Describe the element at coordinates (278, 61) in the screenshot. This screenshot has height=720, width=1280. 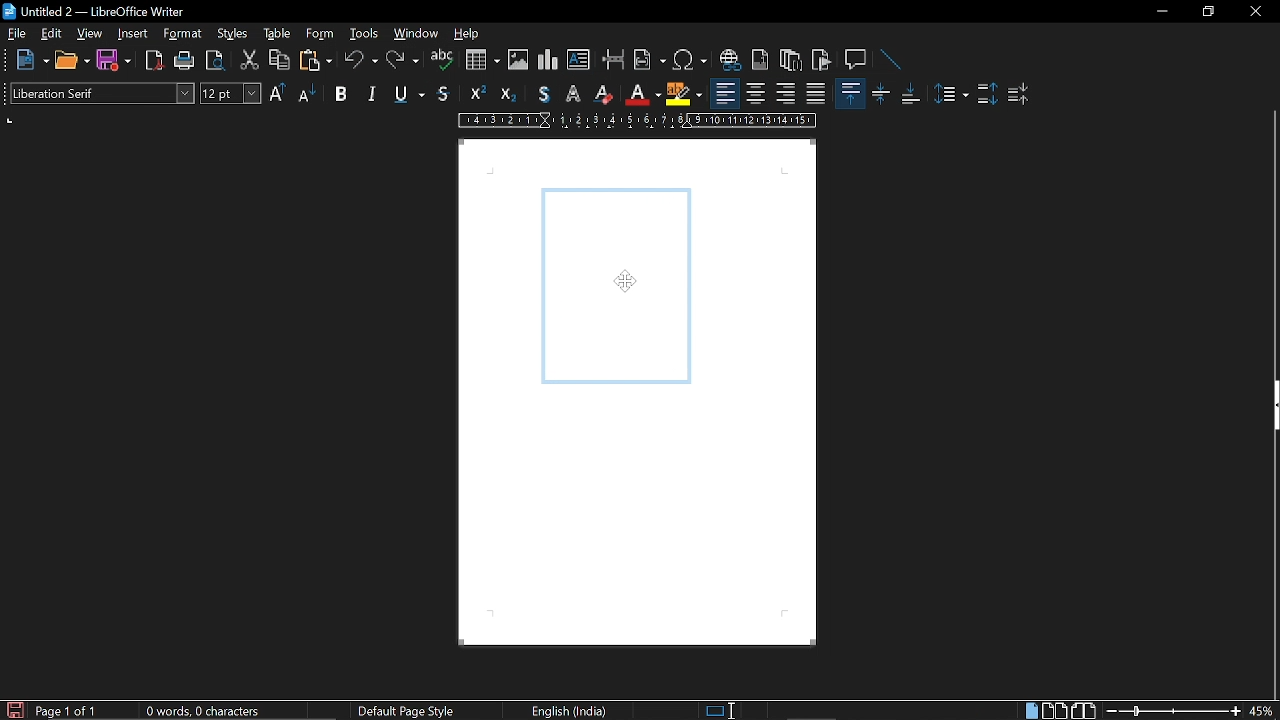
I see `copy` at that location.